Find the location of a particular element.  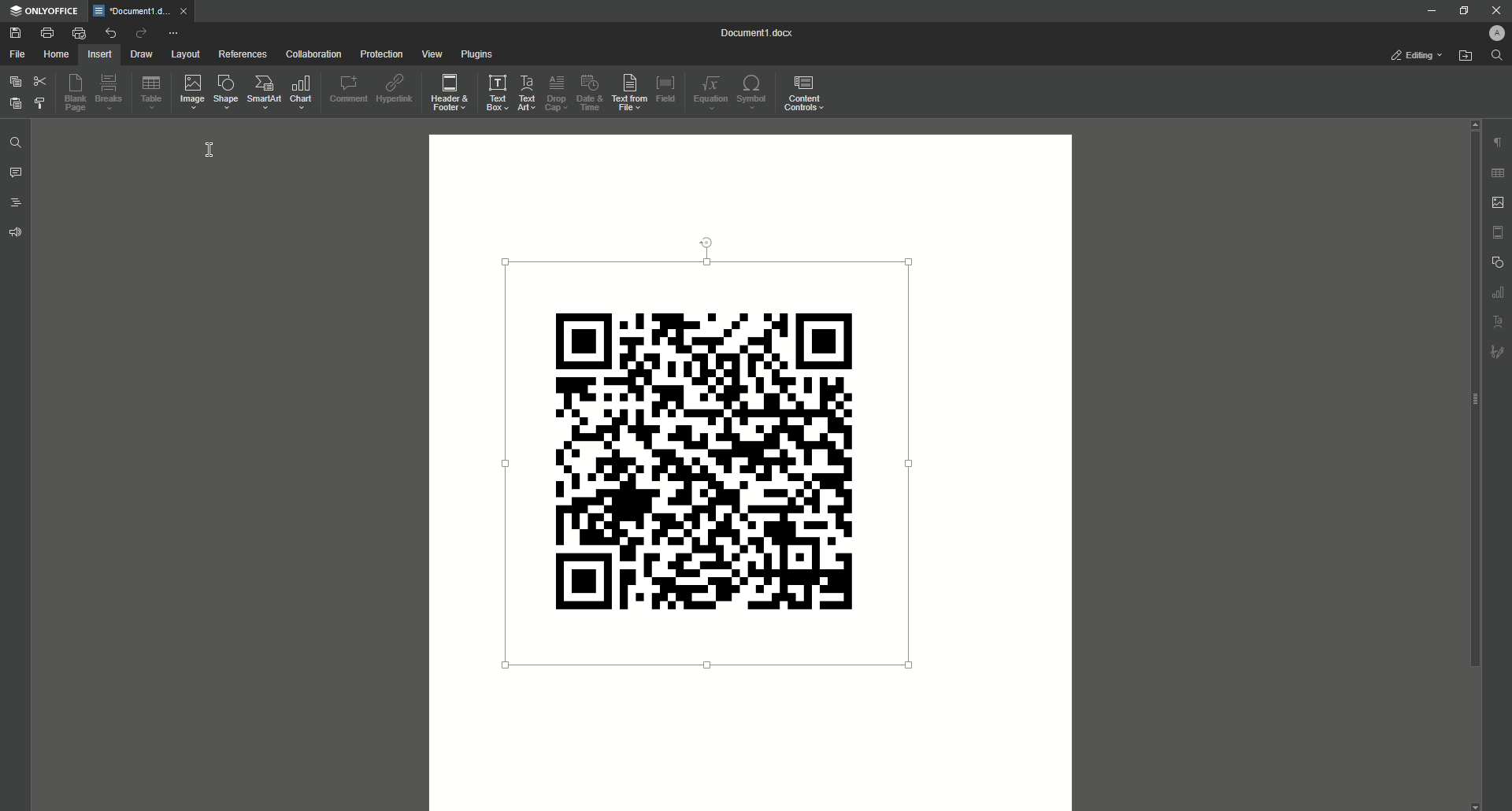

Breaks is located at coordinates (111, 93).